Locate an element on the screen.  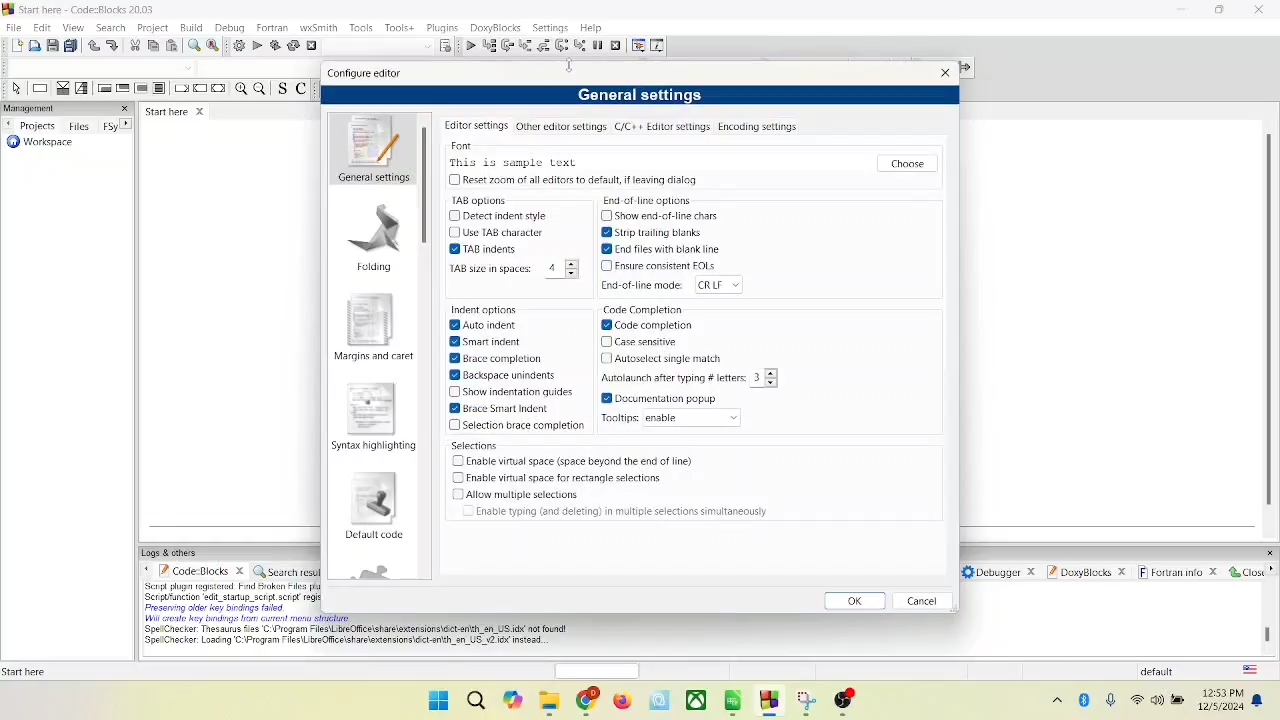
choose is located at coordinates (907, 162).